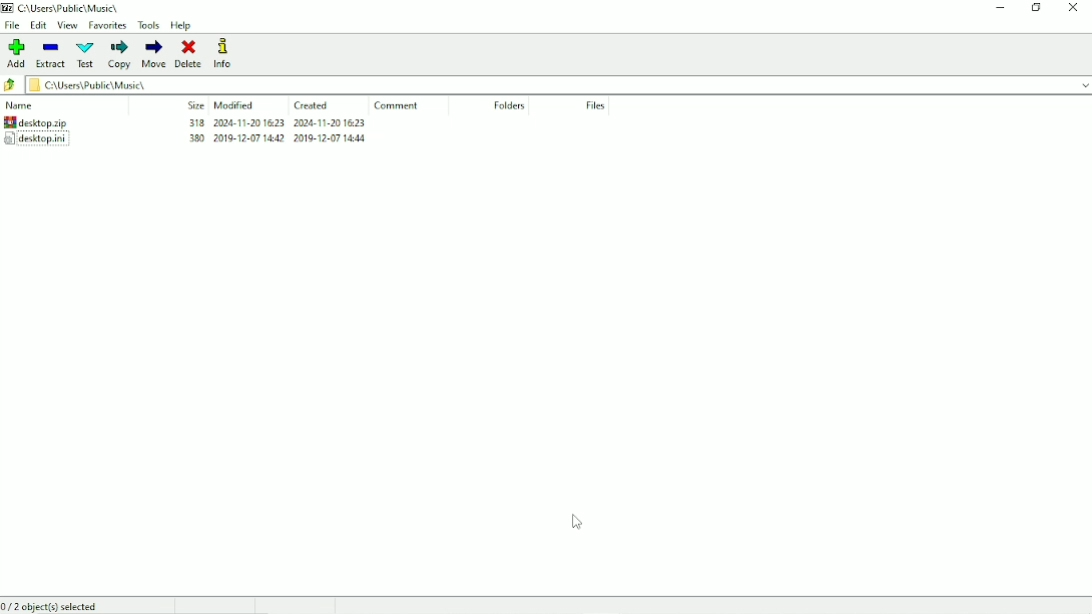 Image resolution: width=1092 pixels, height=614 pixels. I want to click on Info, so click(231, 53).